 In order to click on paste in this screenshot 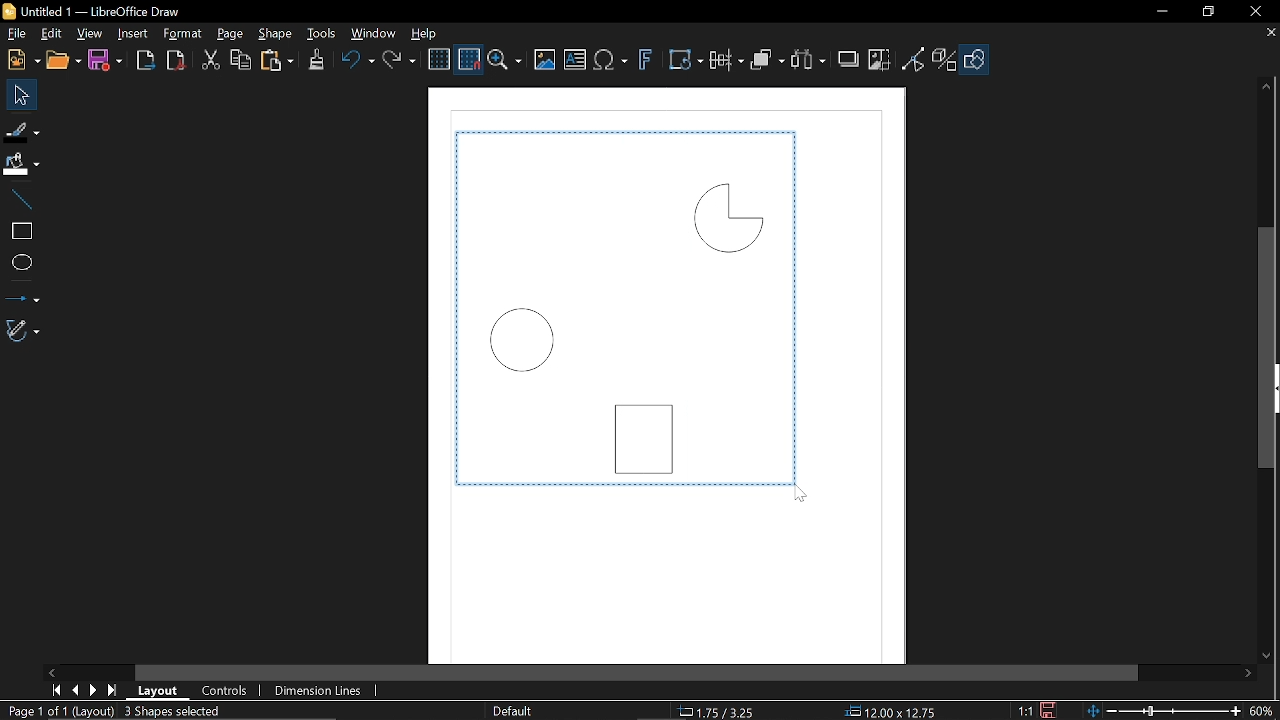, I will do `click(279, 60)`.